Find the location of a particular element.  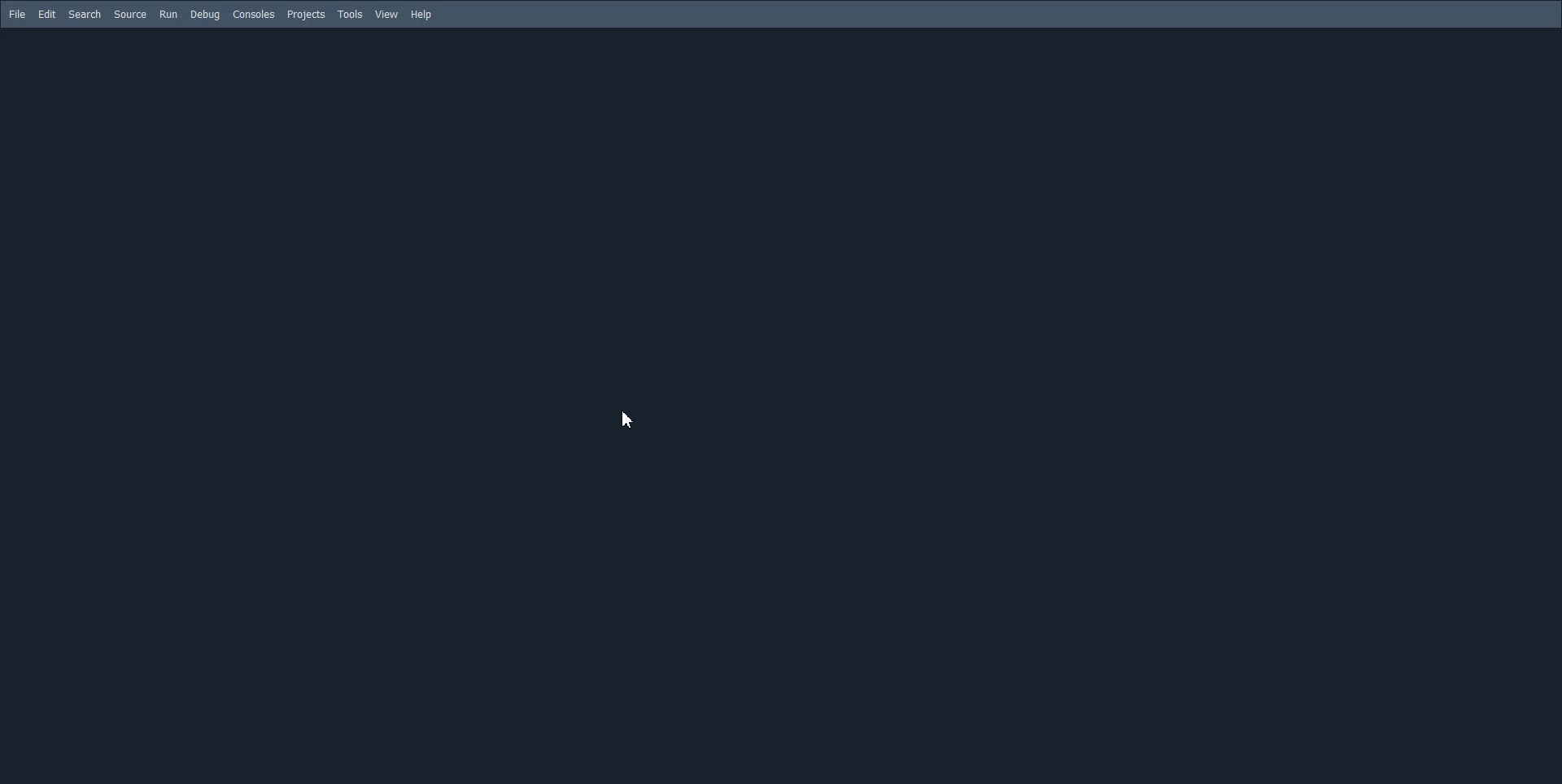

Edit is located at coordinates (47, 15).